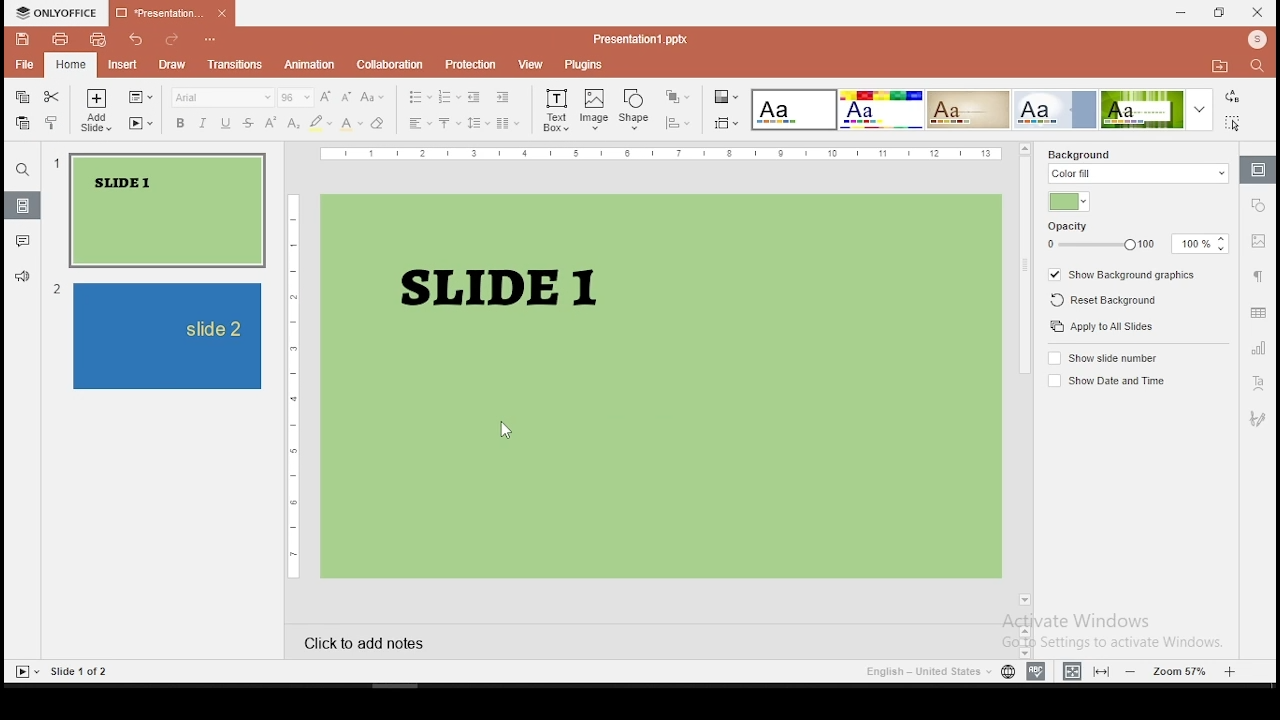 This screenshot has width=1280, height=720. What do you see at coordinates (641, 39) in the screenshot?
I see `Presentation1.pptx` at bounding box center [641, 39].